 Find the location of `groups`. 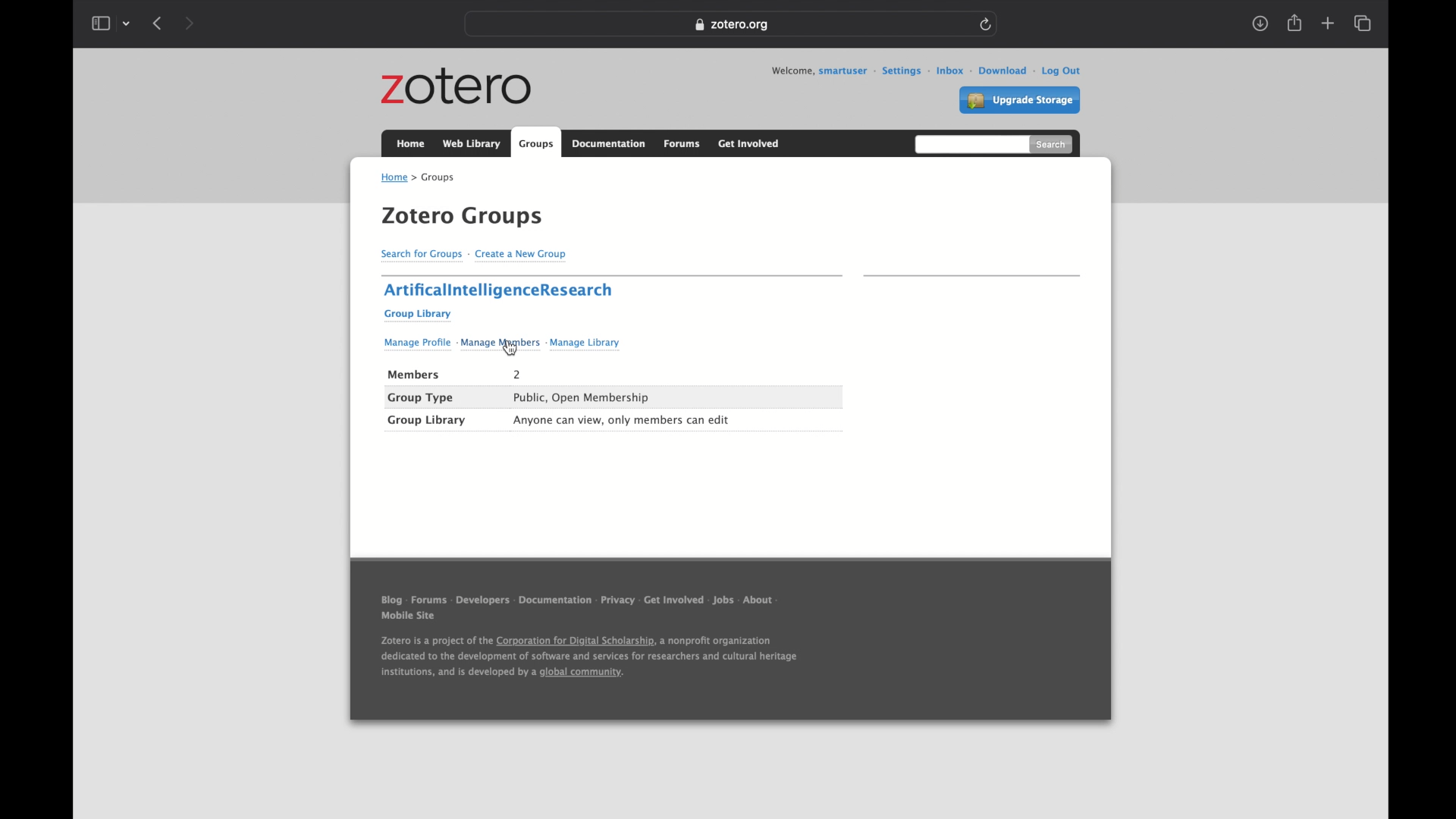

groups is located at coordinates (536, 142).